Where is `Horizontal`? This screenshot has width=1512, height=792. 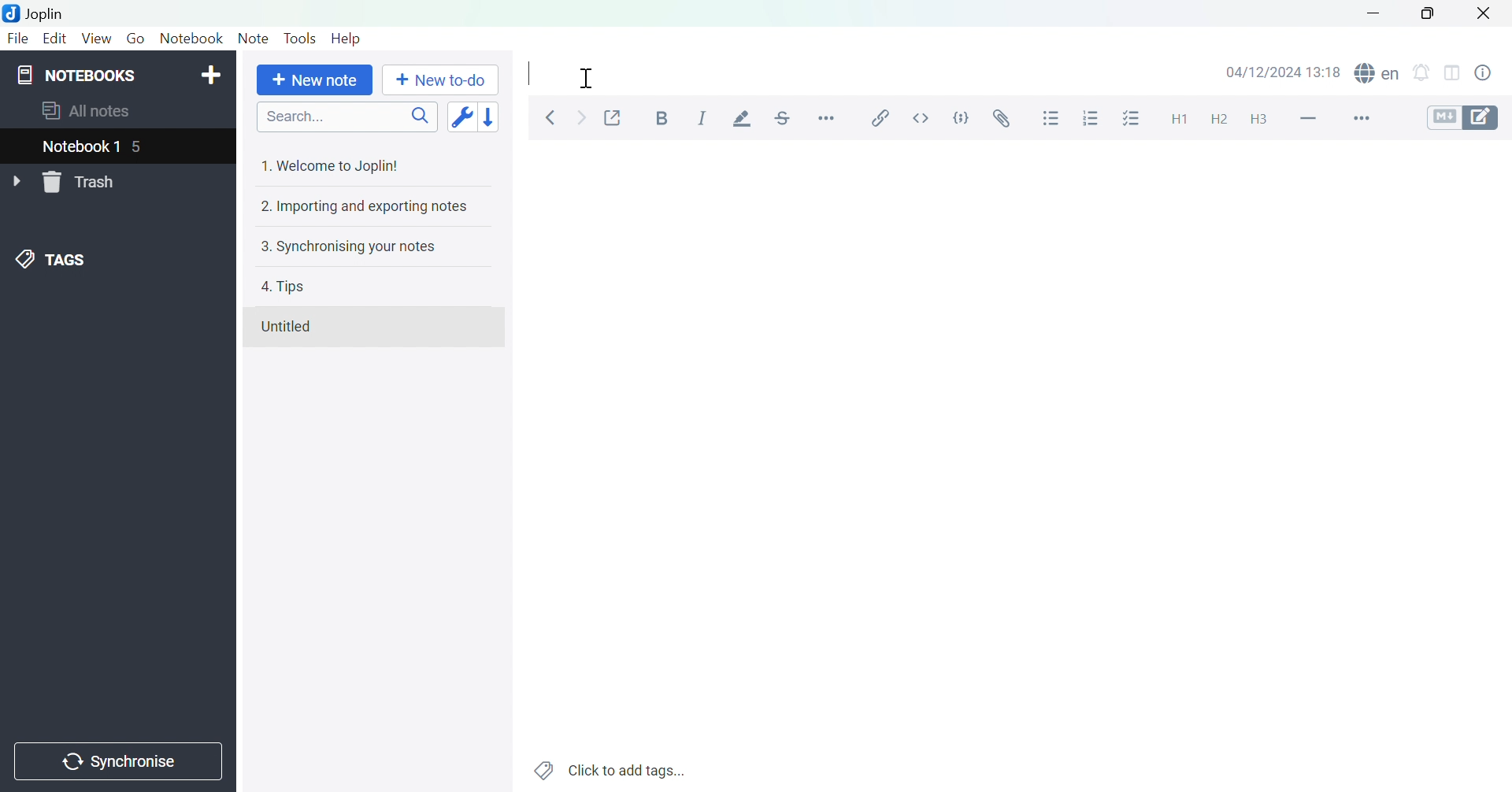 Horizontal is located at coordinates (828, 117).